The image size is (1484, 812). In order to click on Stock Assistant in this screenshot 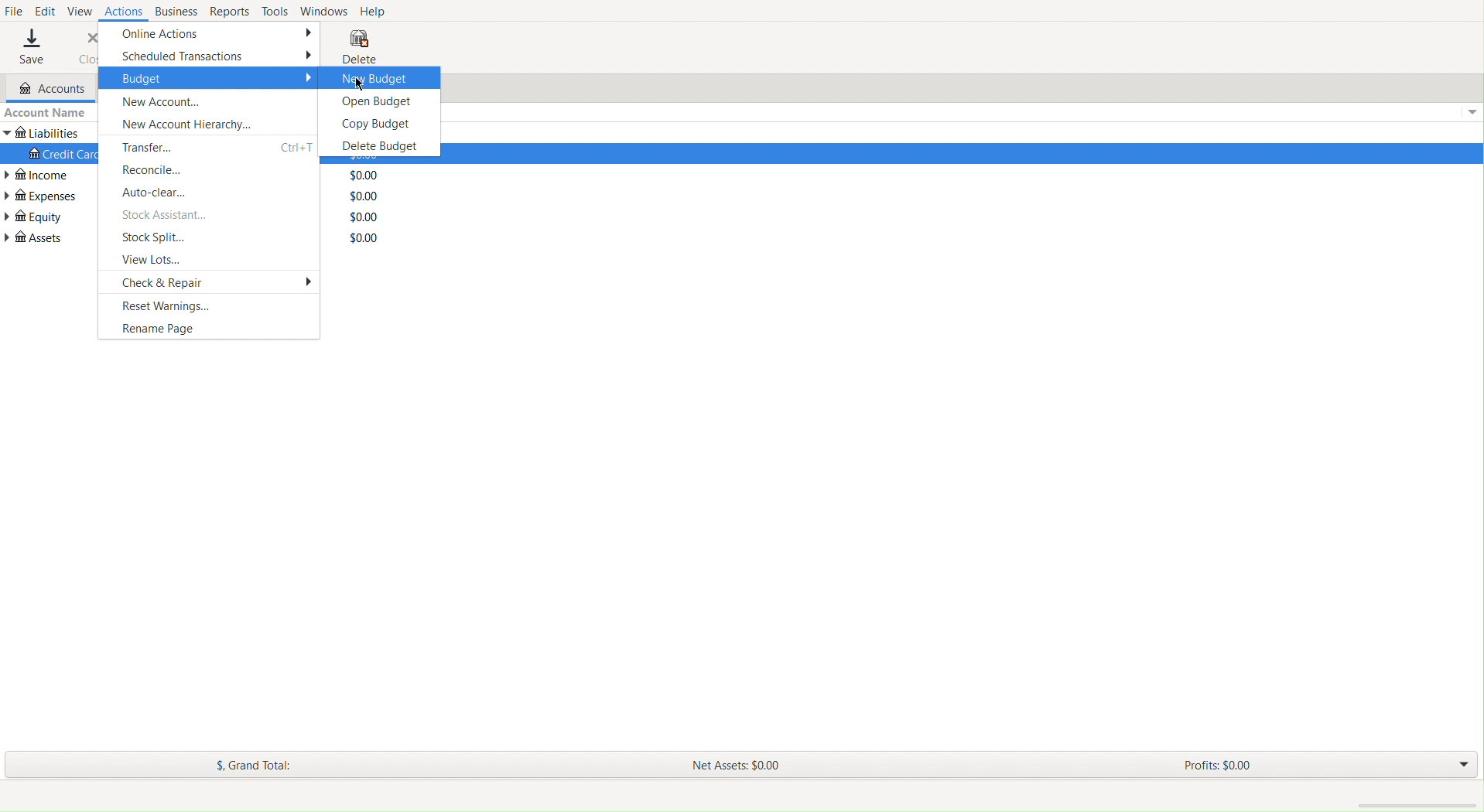, I will do `click(166, 215)`.